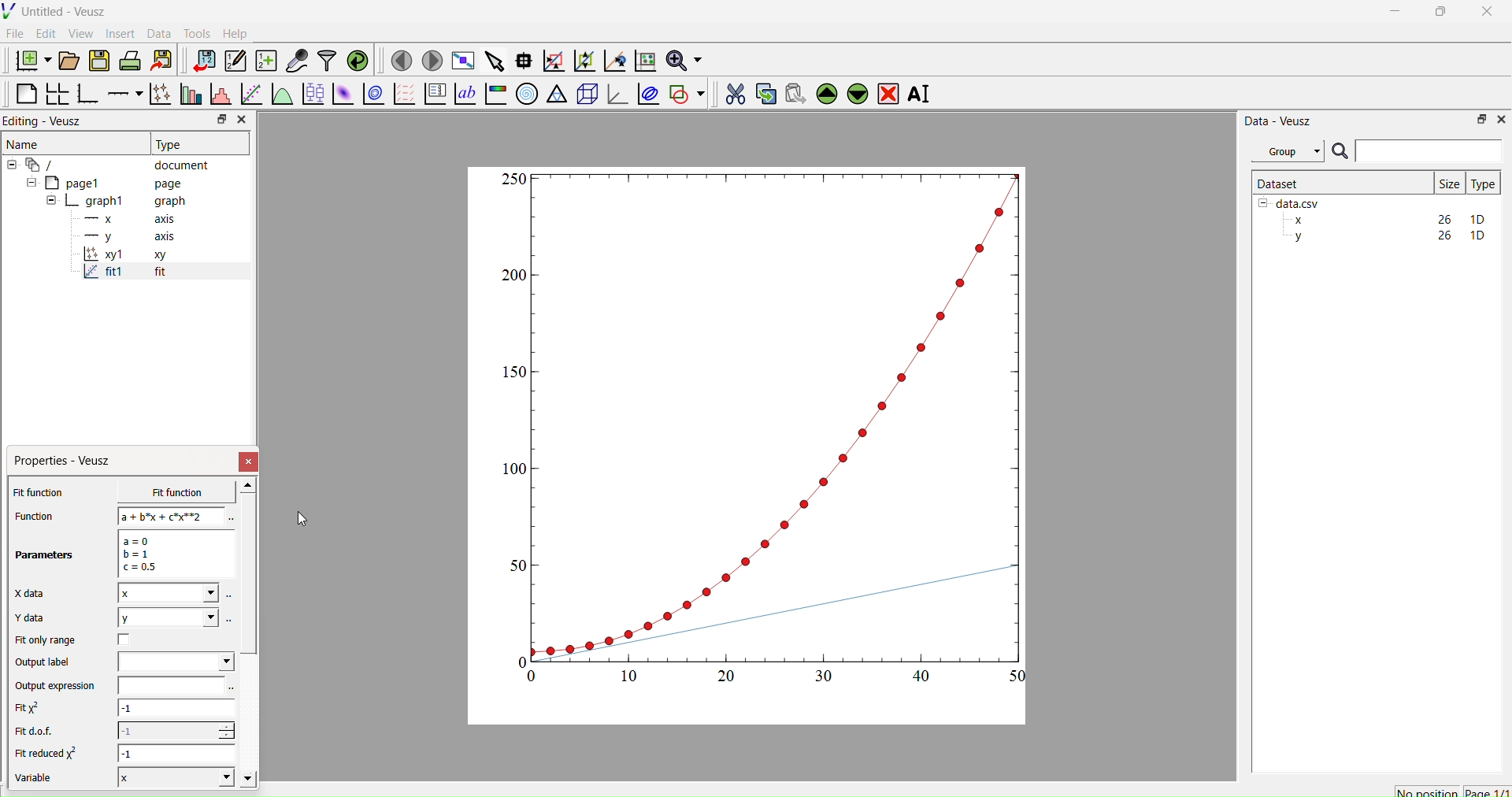  Describe the element at coordinates (233, 33) in the screenshot. I see `Help` at that location.